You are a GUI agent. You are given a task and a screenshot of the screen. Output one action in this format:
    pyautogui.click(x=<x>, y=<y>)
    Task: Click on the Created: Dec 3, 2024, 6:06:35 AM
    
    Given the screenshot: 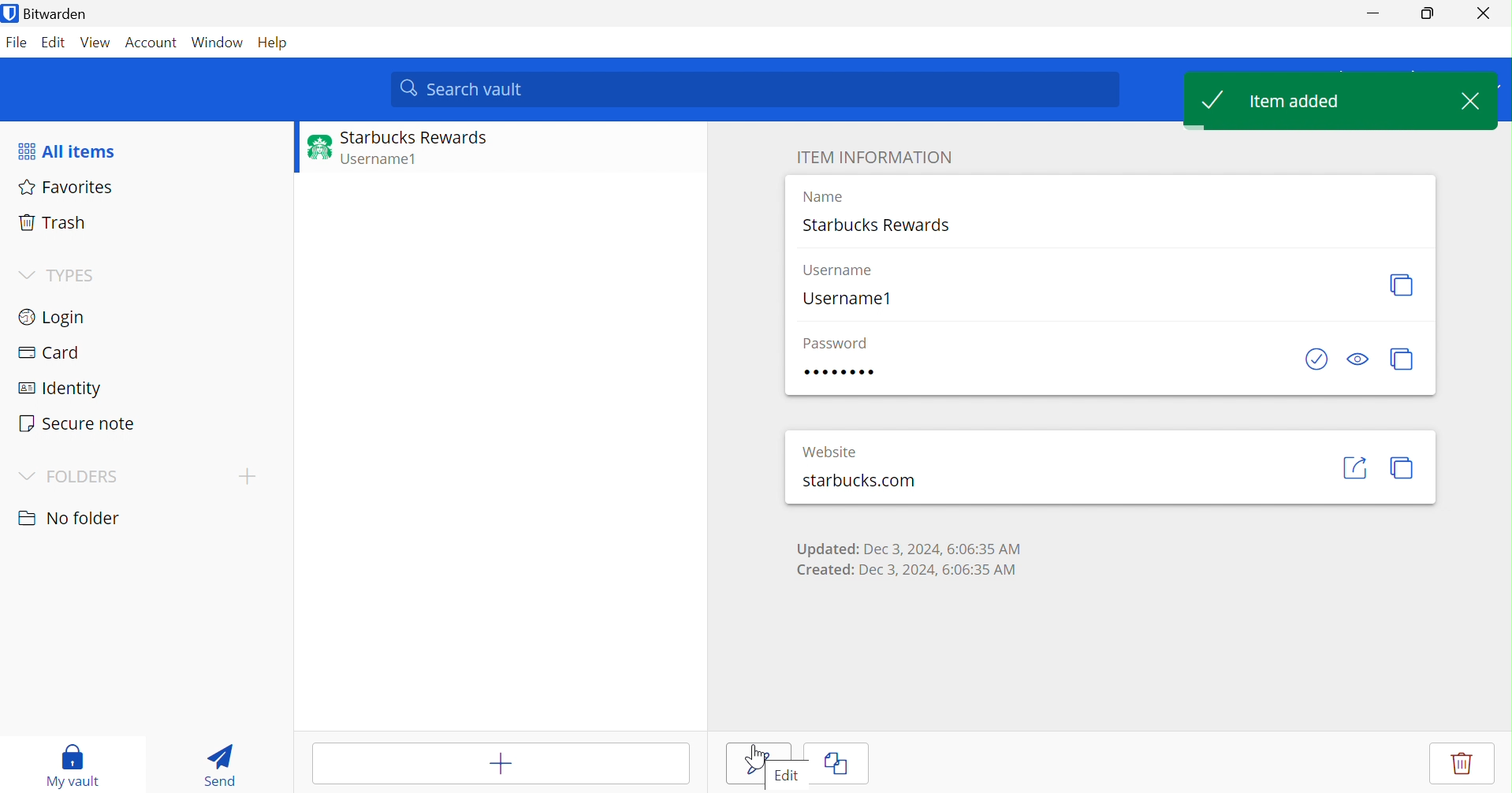 What is the action you would take?
    pyautogui.click(x=909, y=572)
    